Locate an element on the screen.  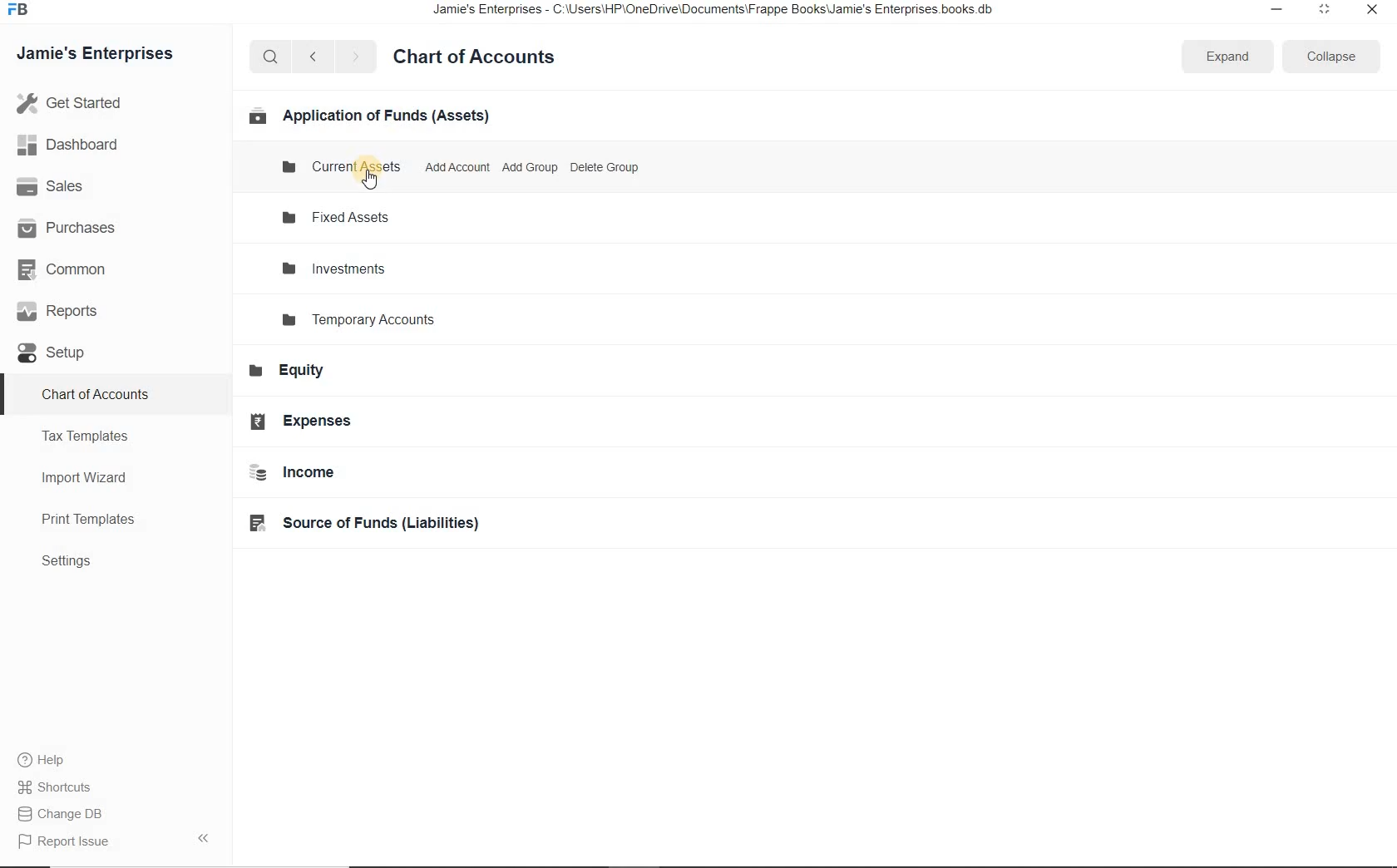
Application of Funds (Assets) is located at coordinates (368, 115).